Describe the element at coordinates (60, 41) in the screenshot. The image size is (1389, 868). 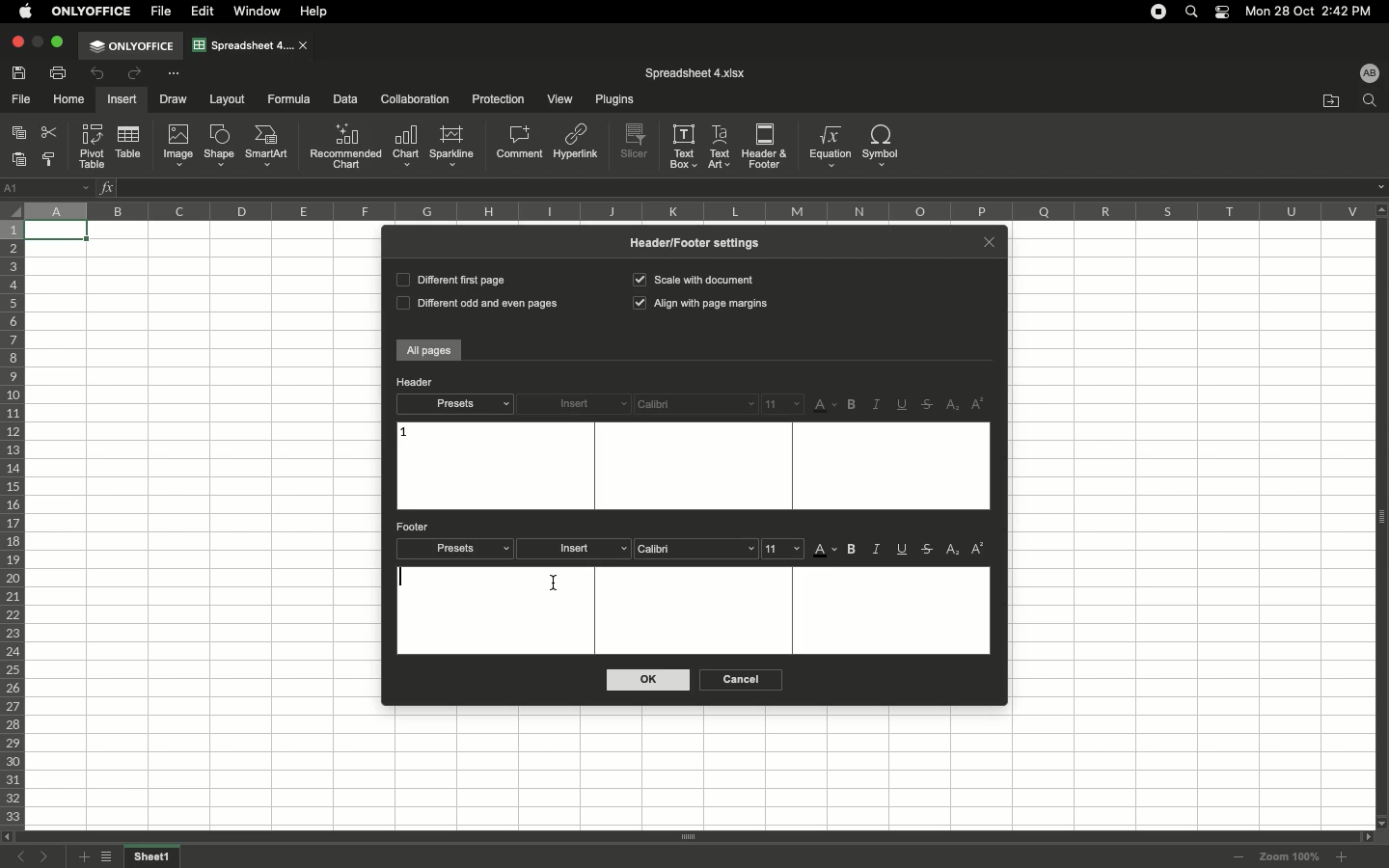
I see `Maximize` at that location.